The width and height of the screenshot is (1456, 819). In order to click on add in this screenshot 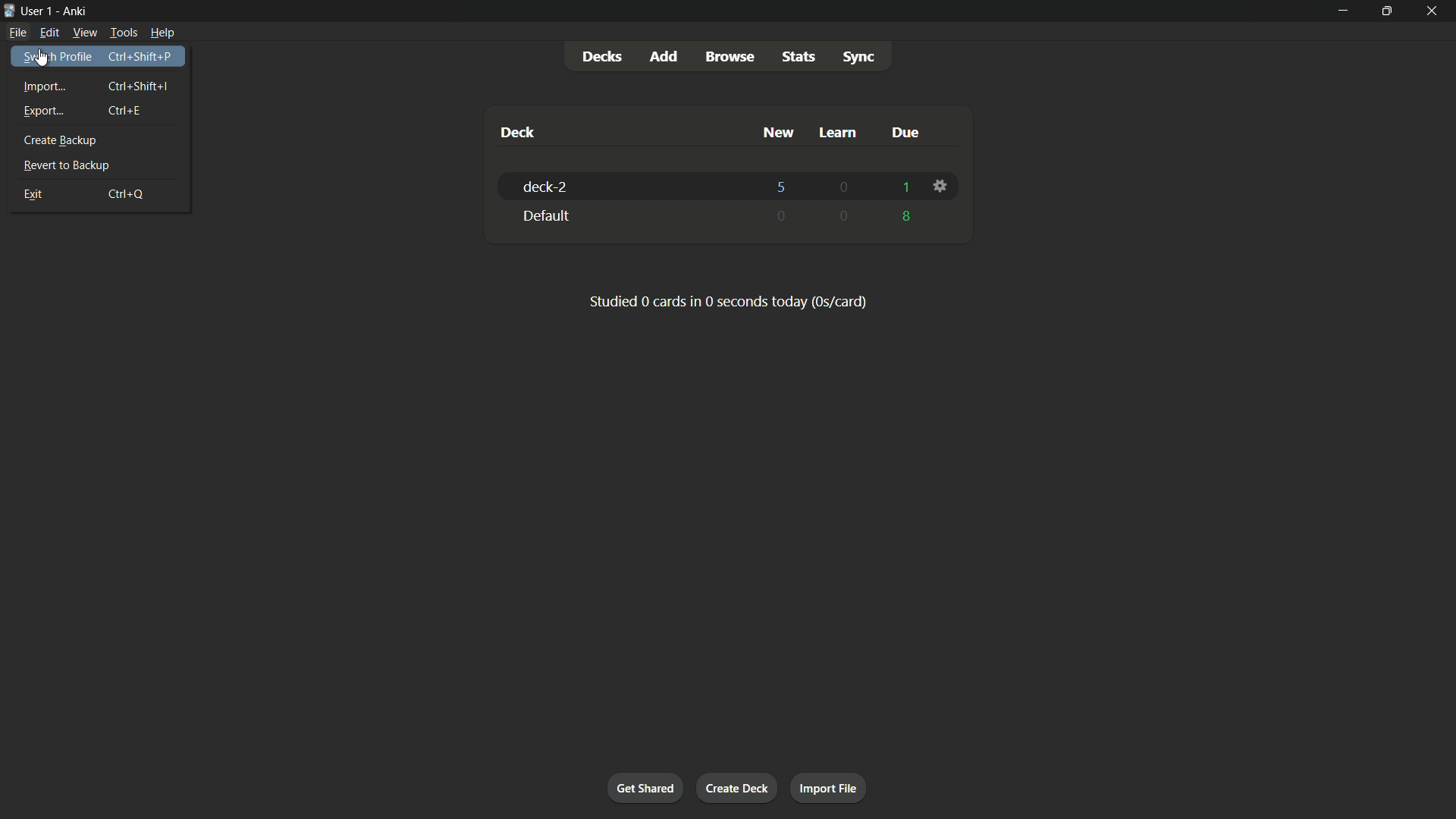, I will do `click(663, 57)`.